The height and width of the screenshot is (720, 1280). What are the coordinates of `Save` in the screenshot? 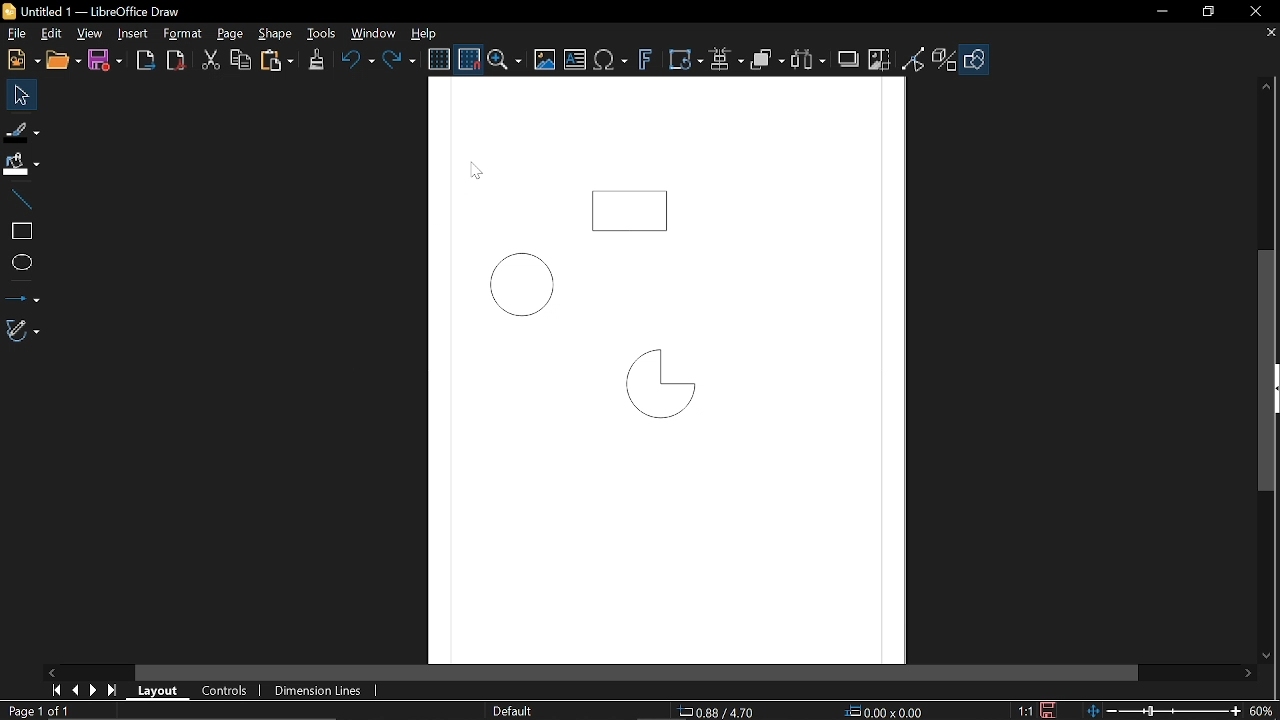 It's located at (106, 60).